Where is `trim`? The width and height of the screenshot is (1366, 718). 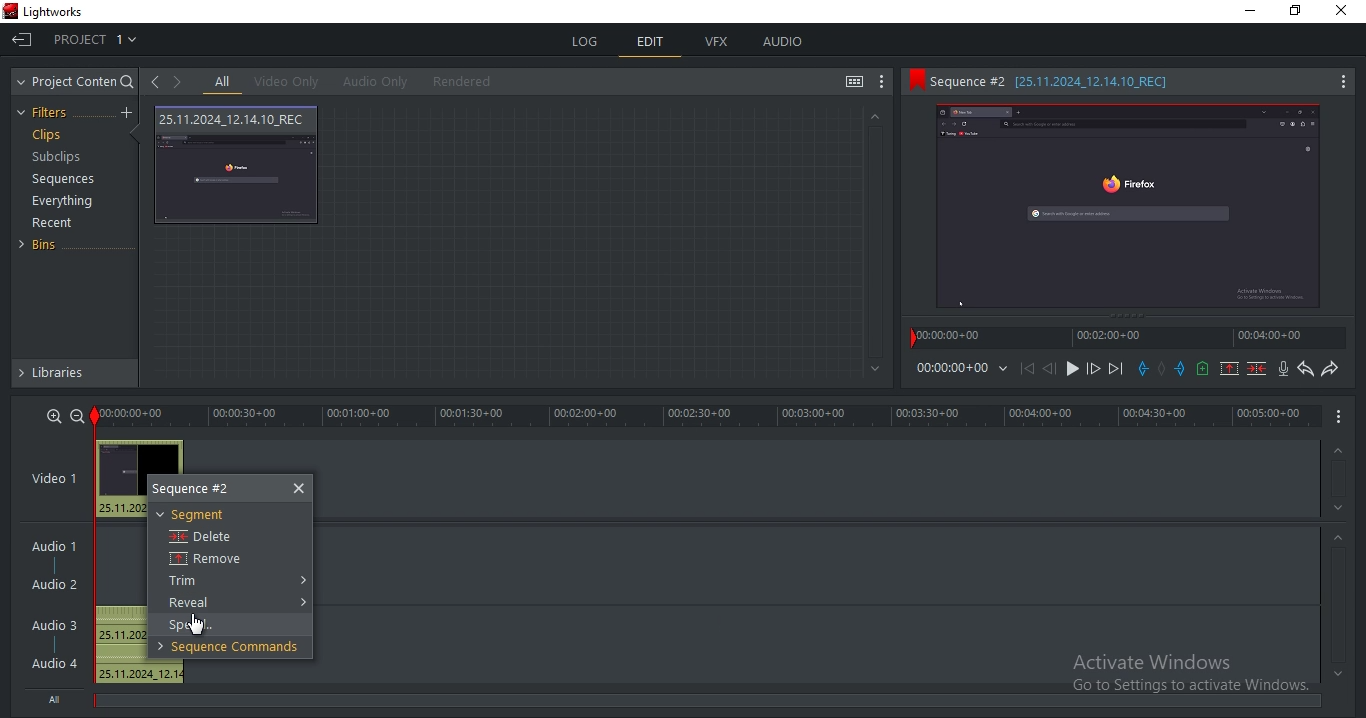
trim is located at coordinates (193, 581).